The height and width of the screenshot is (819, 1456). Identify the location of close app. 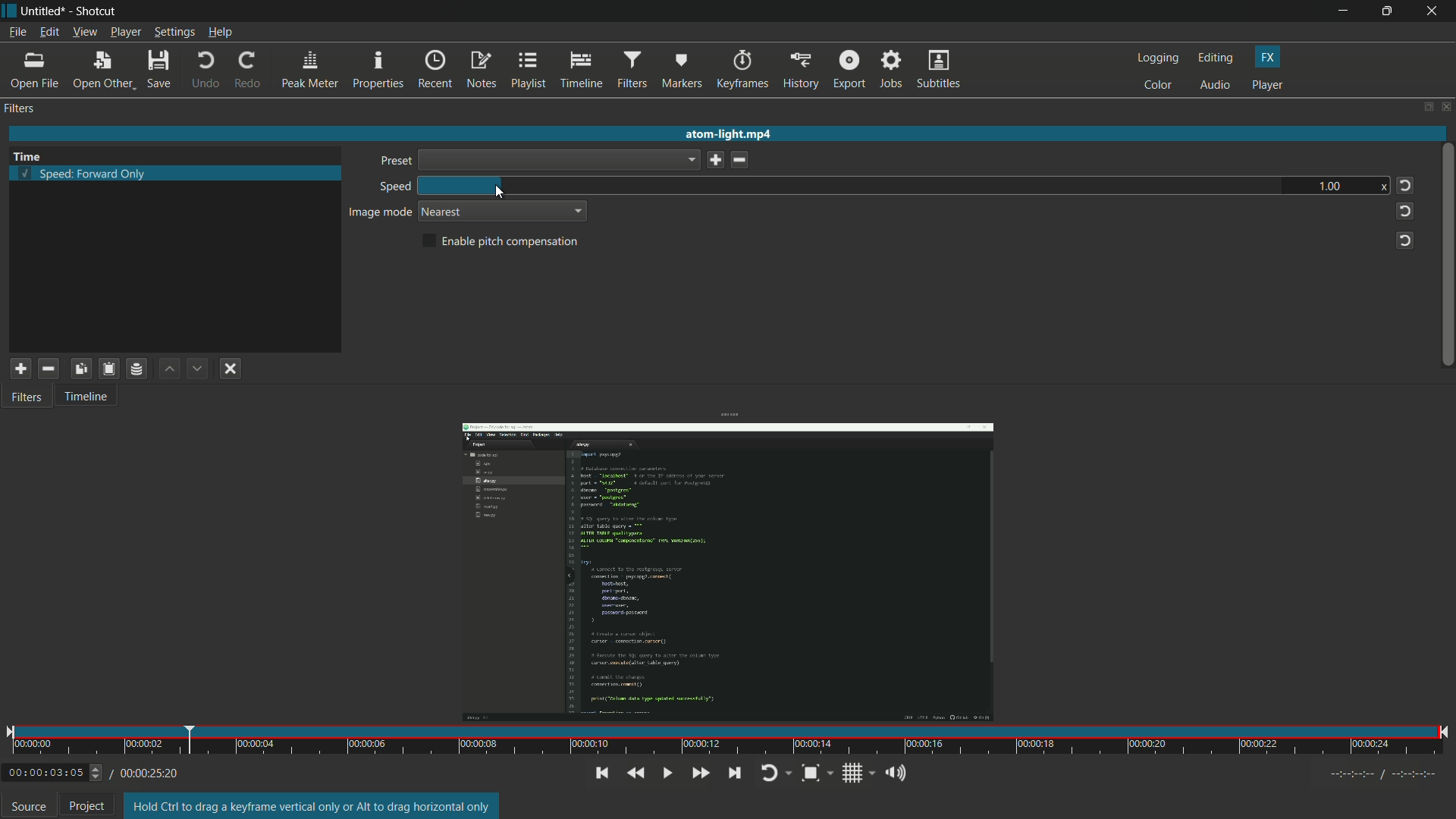
(1435, 11).